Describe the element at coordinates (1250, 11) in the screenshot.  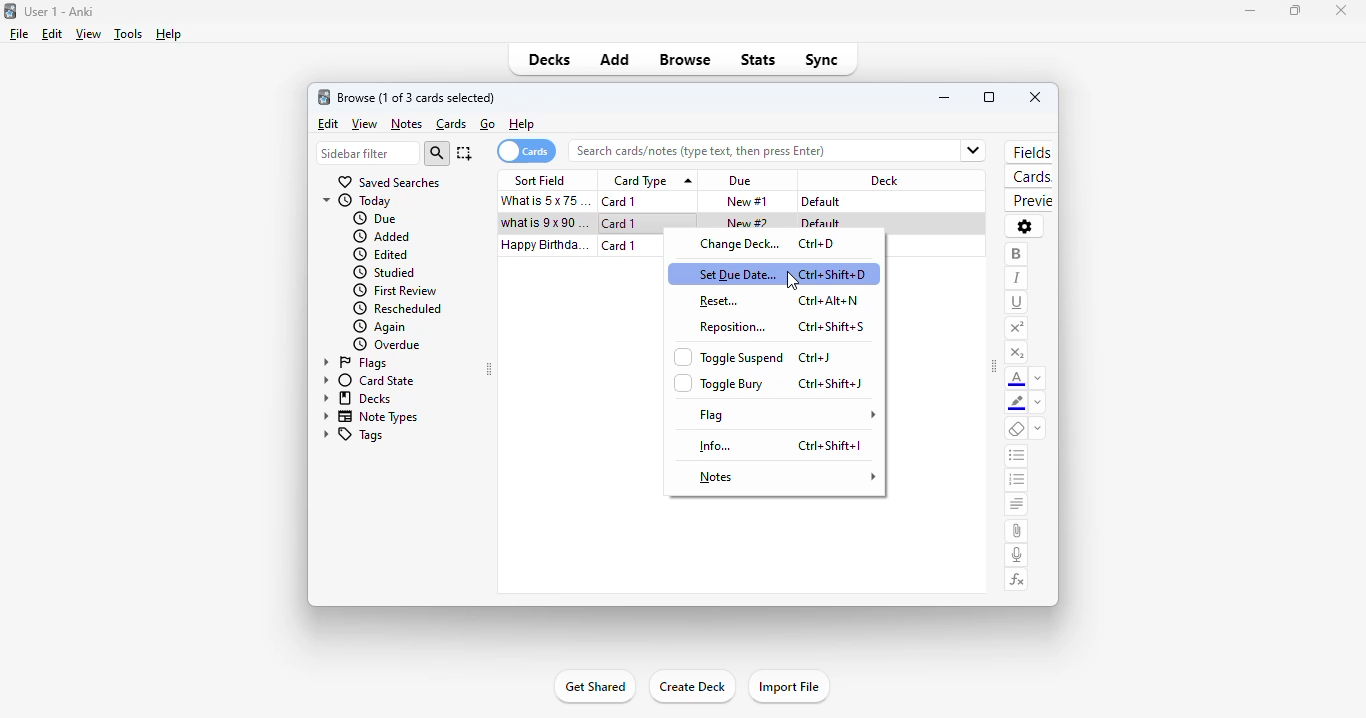
I see `minimize` at that location.